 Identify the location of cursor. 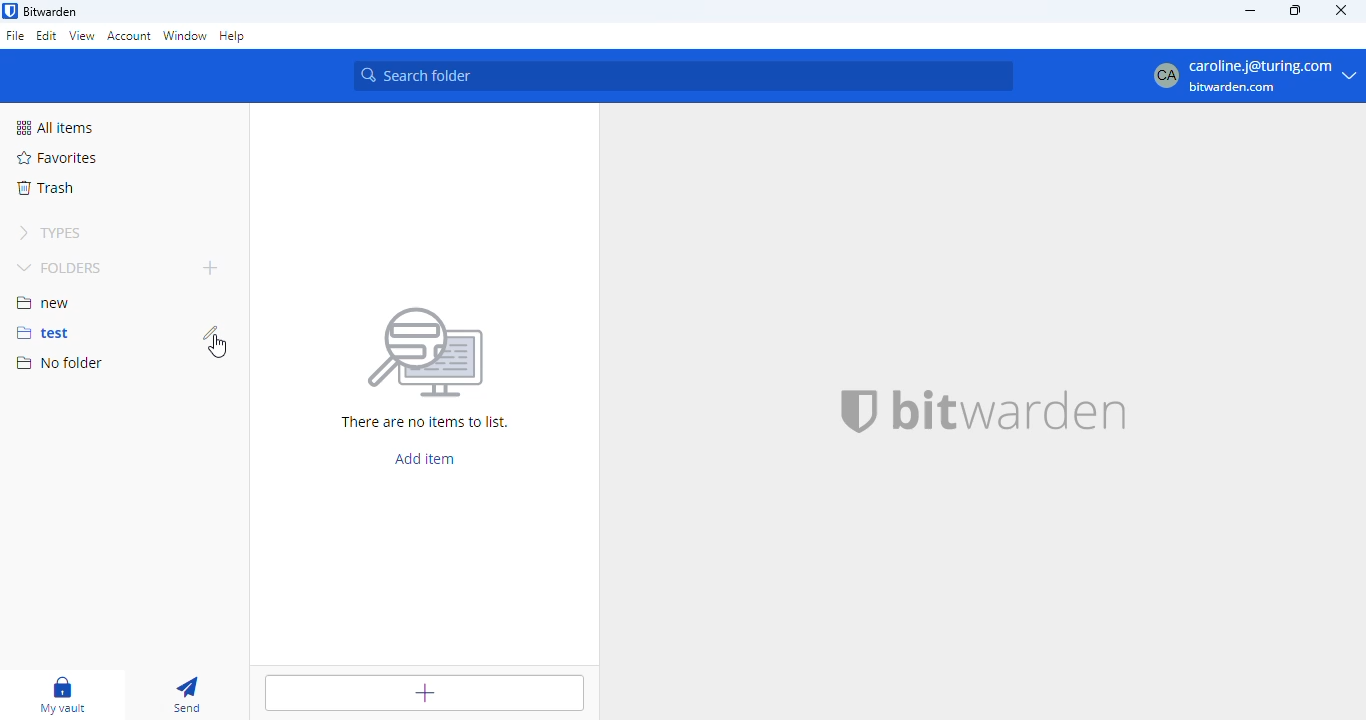
(221, 347).